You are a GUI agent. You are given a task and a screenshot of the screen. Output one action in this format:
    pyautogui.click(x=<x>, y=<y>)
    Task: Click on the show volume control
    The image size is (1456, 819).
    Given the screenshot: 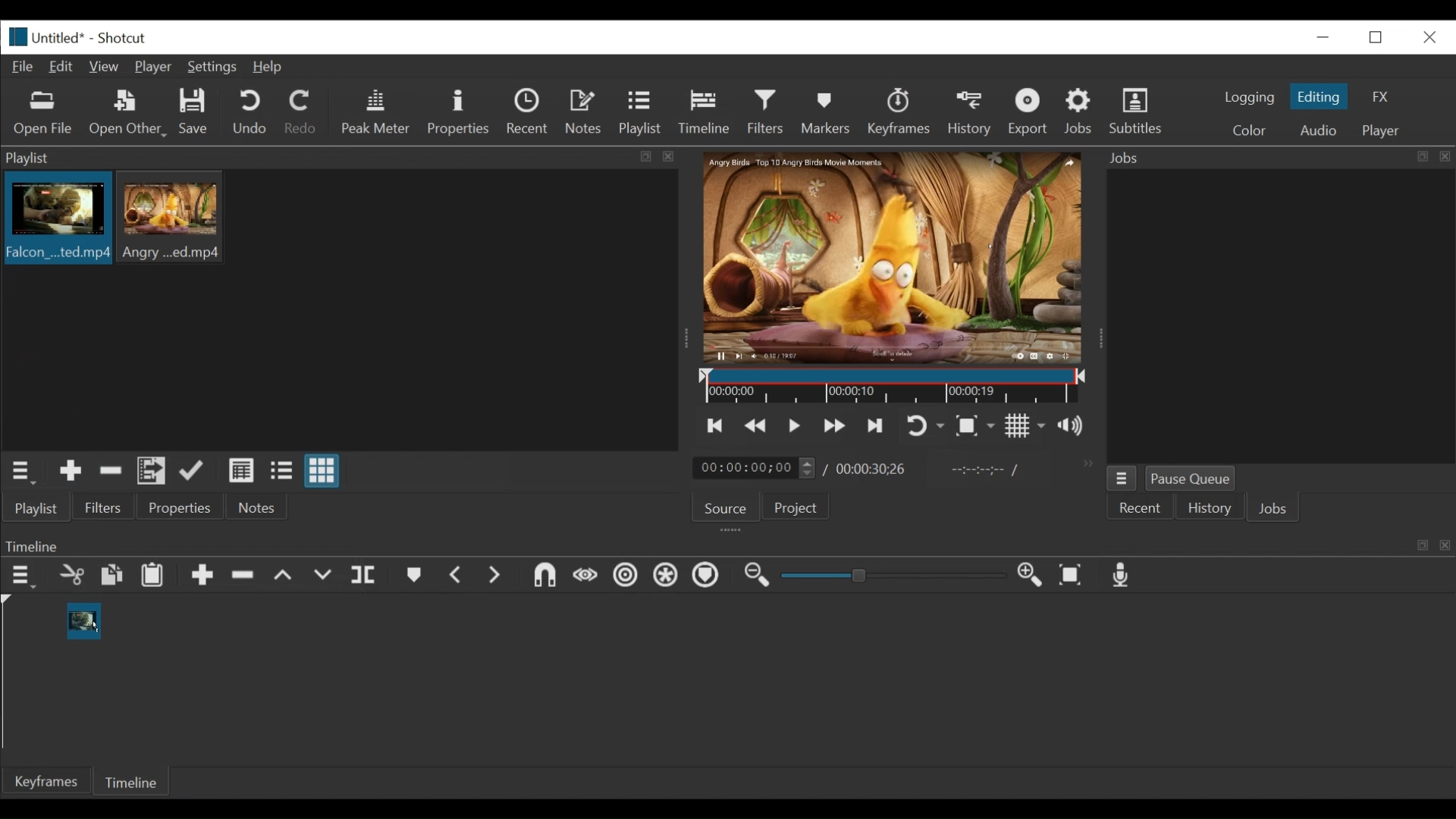 What is the action you would take?
    pyautogui.click(x=1077, y=427)
    